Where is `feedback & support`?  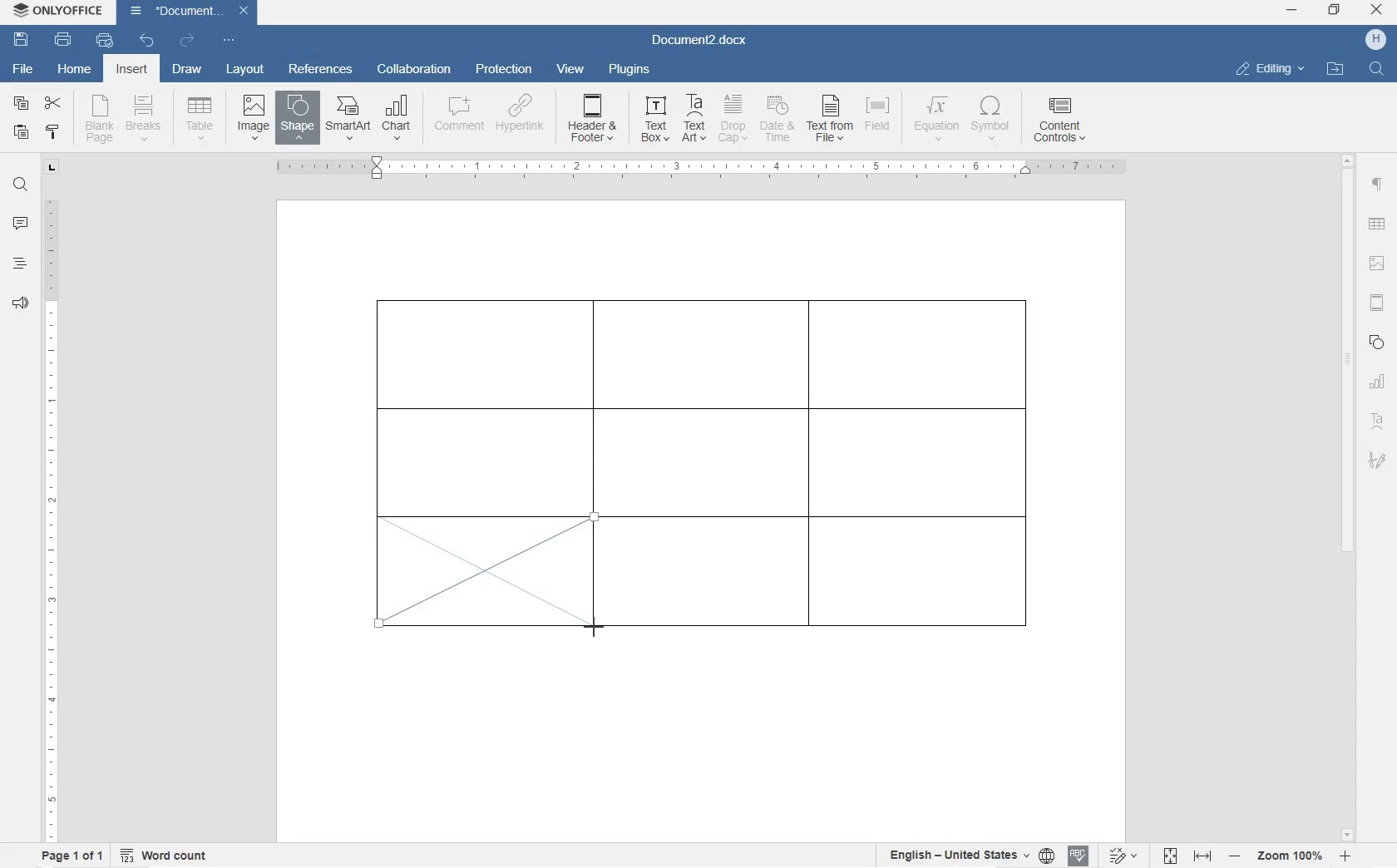
feedback & support is located at coordinates (20, 305).